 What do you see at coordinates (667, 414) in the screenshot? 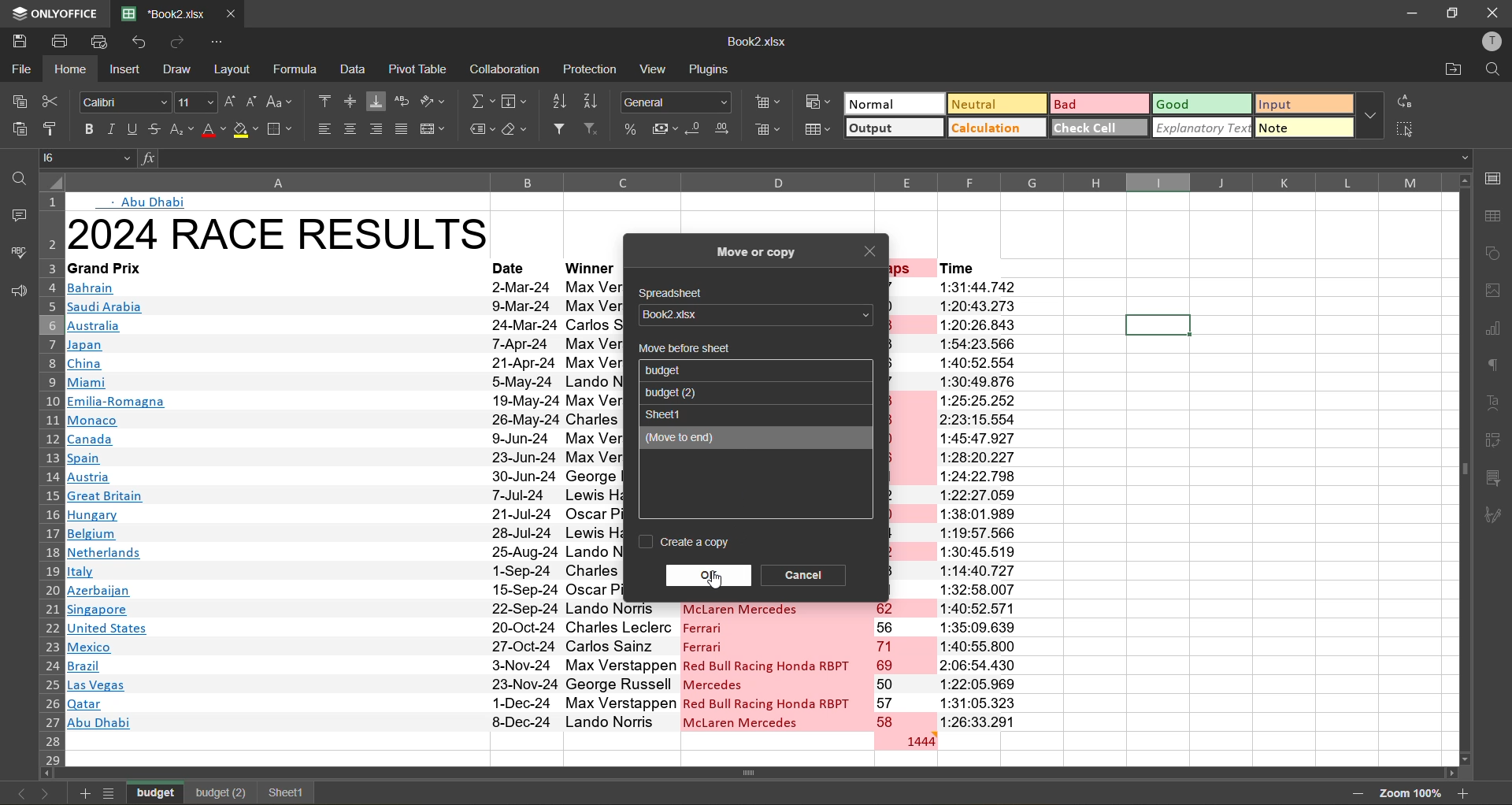
I see `sheet name` at bounding box center [667, 414].